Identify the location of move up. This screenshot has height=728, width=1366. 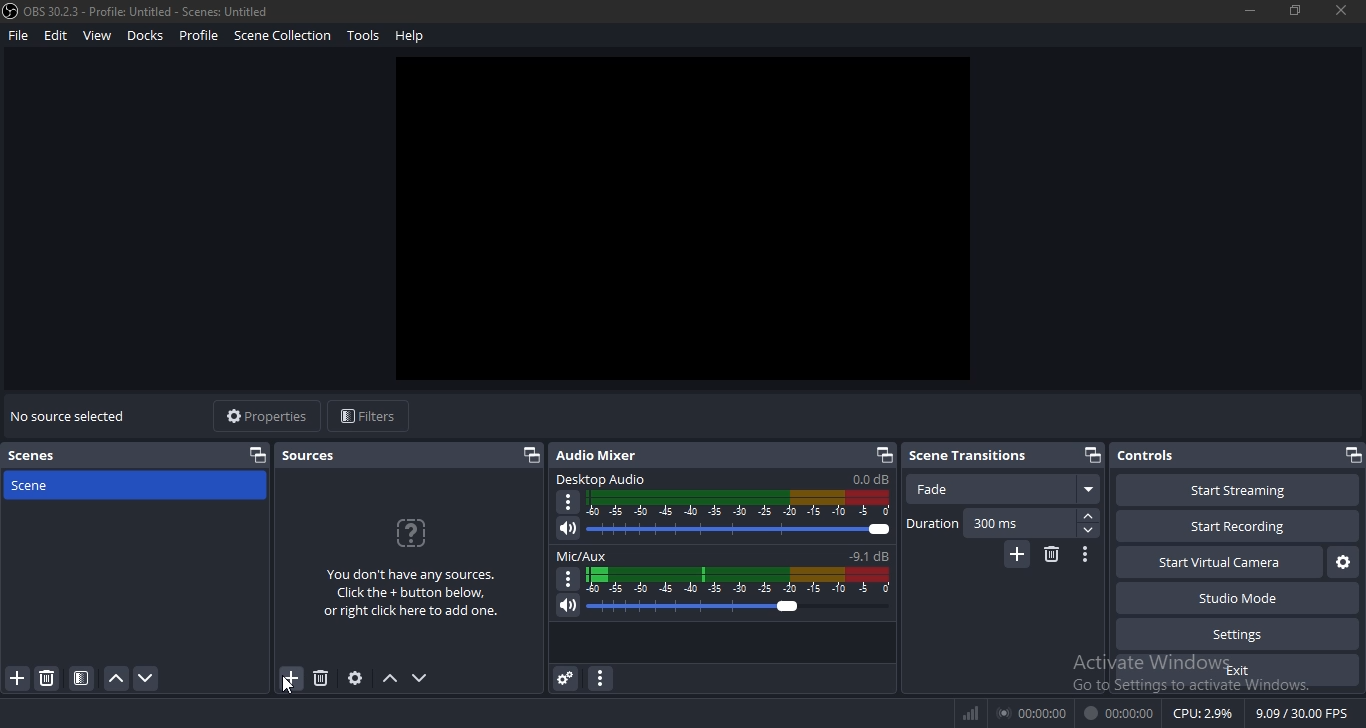
(116, 678).